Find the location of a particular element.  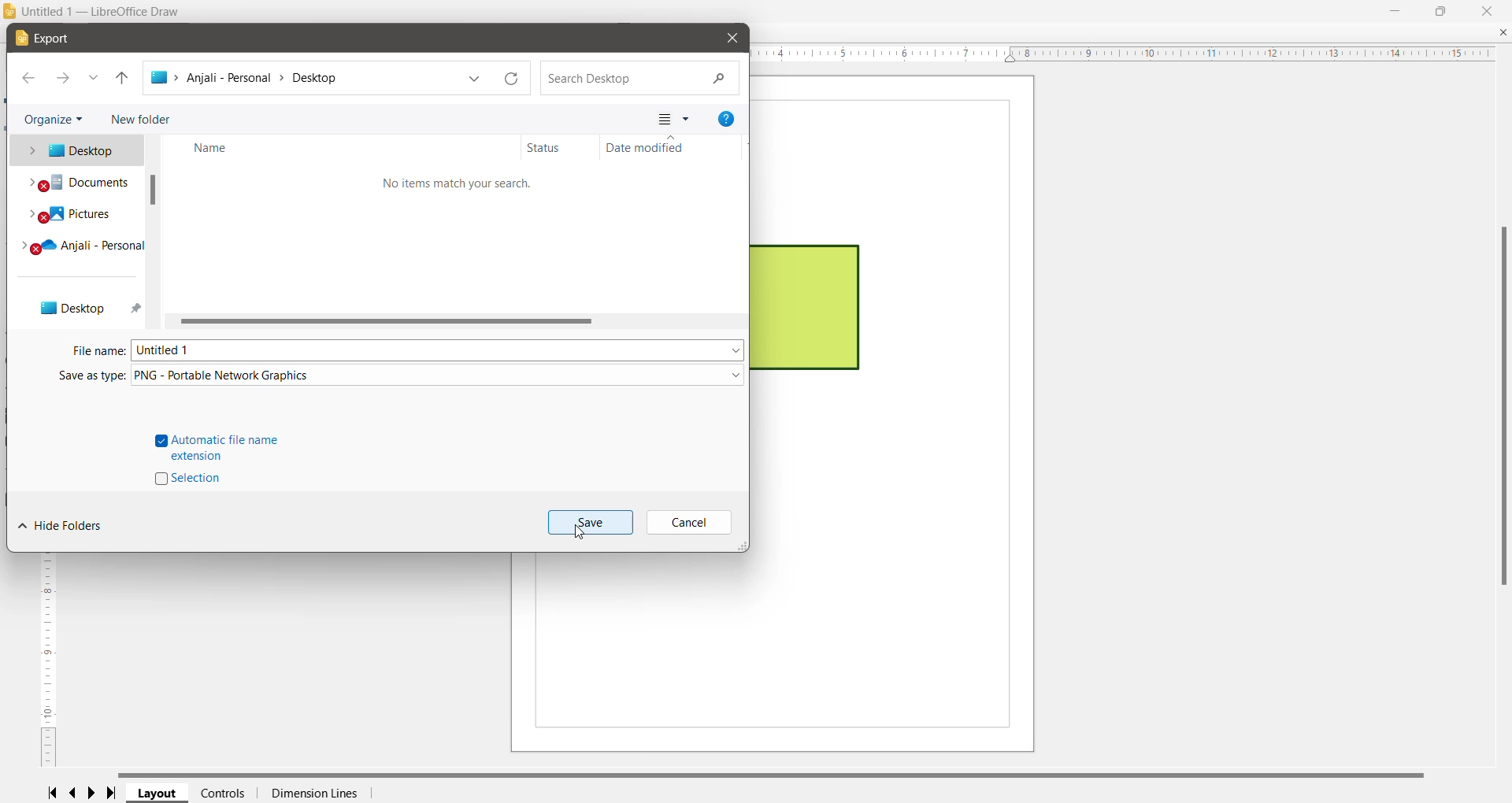

System locations is located at coordinates (74, 231).